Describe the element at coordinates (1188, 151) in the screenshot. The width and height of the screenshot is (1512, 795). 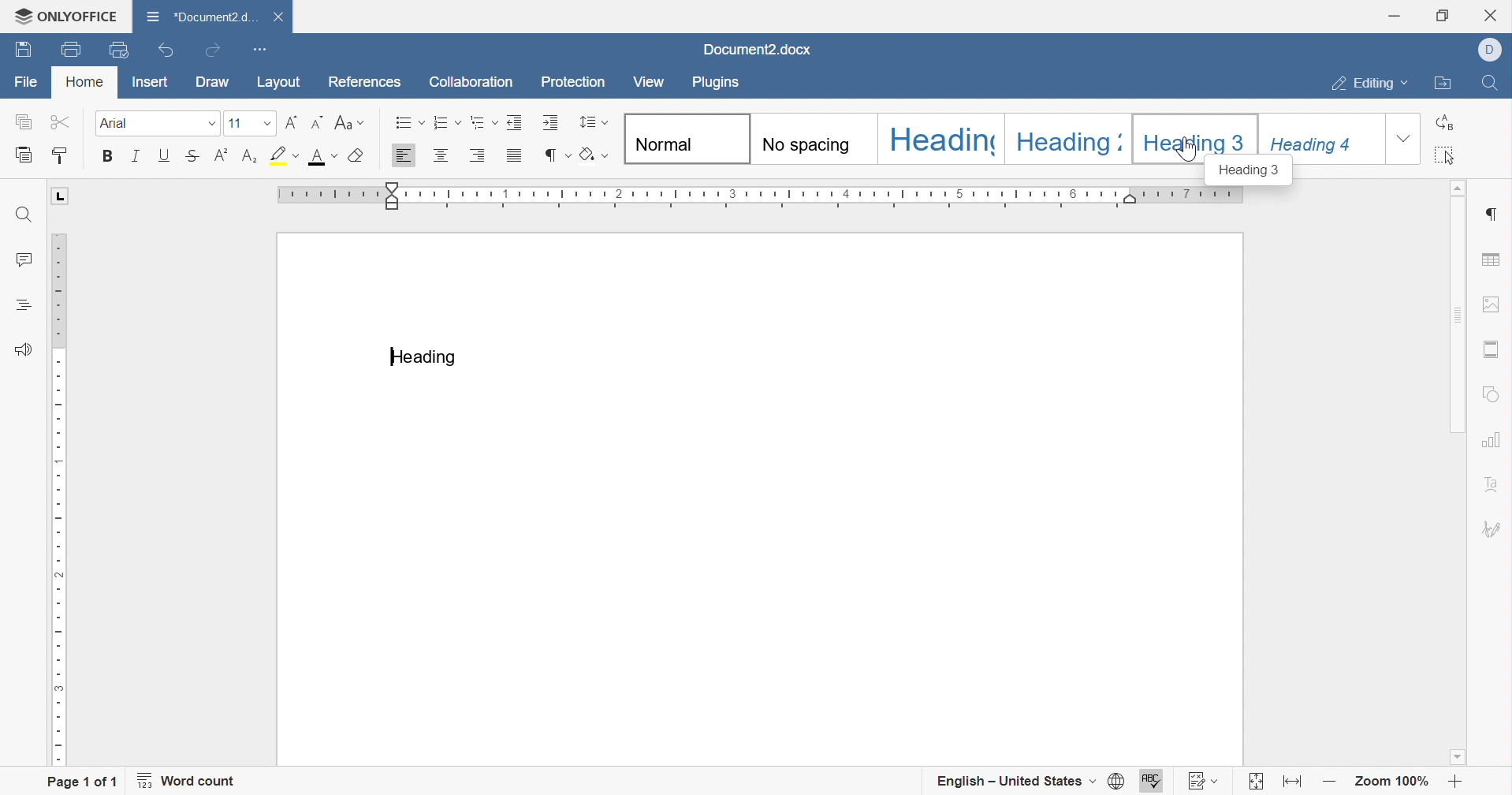
I see `cursor` at that location.